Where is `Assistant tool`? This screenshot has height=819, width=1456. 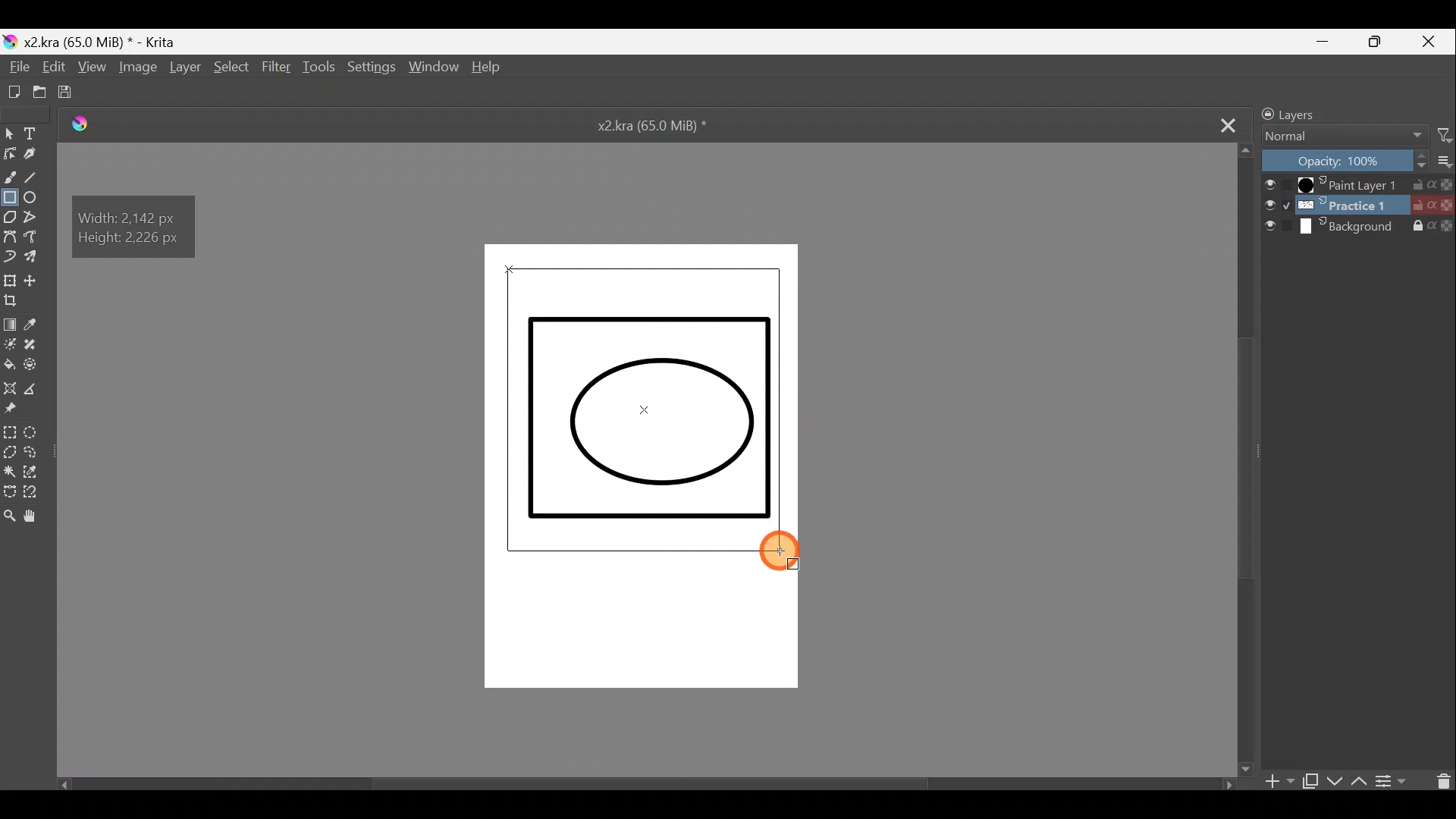 Assistant tool is located at coordinates (11, 386).